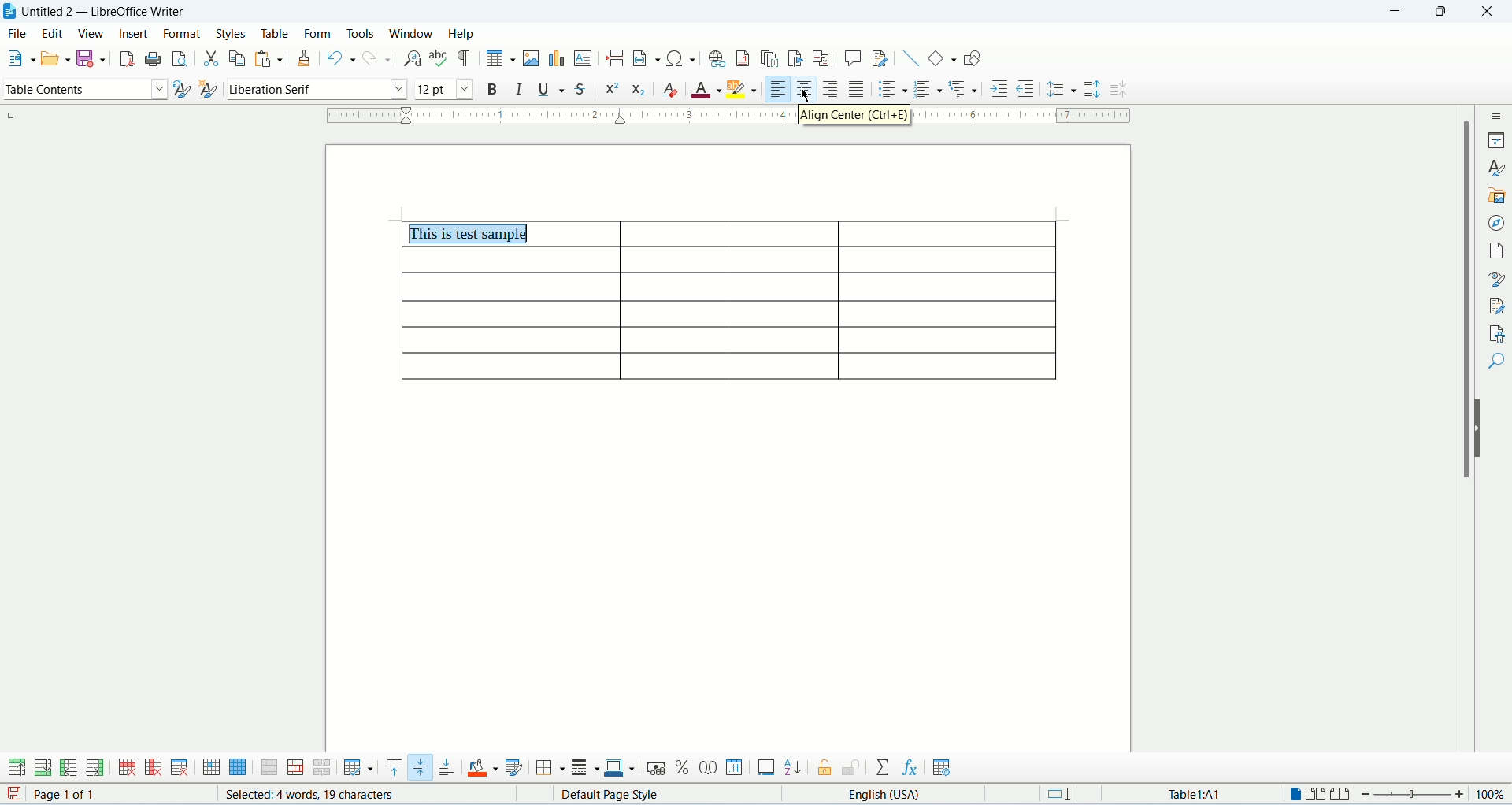 This screenshot has height=805, width=1512. I want to click on edit, so click(54, 33).